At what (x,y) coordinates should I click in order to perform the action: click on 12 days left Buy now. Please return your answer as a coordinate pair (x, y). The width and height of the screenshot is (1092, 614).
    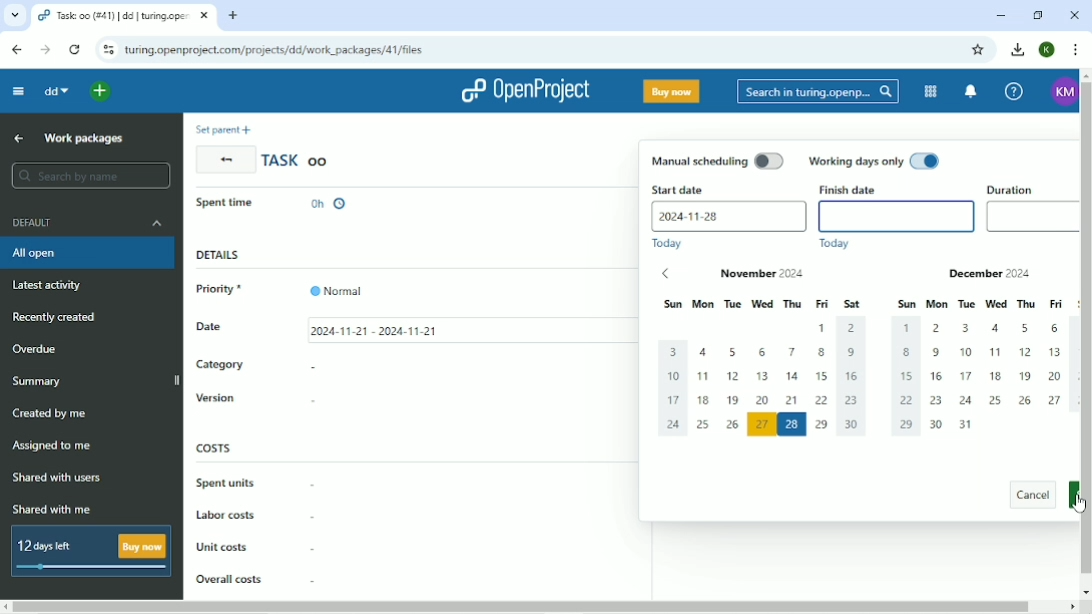
    Looking at the image, I should click on (87, 551).